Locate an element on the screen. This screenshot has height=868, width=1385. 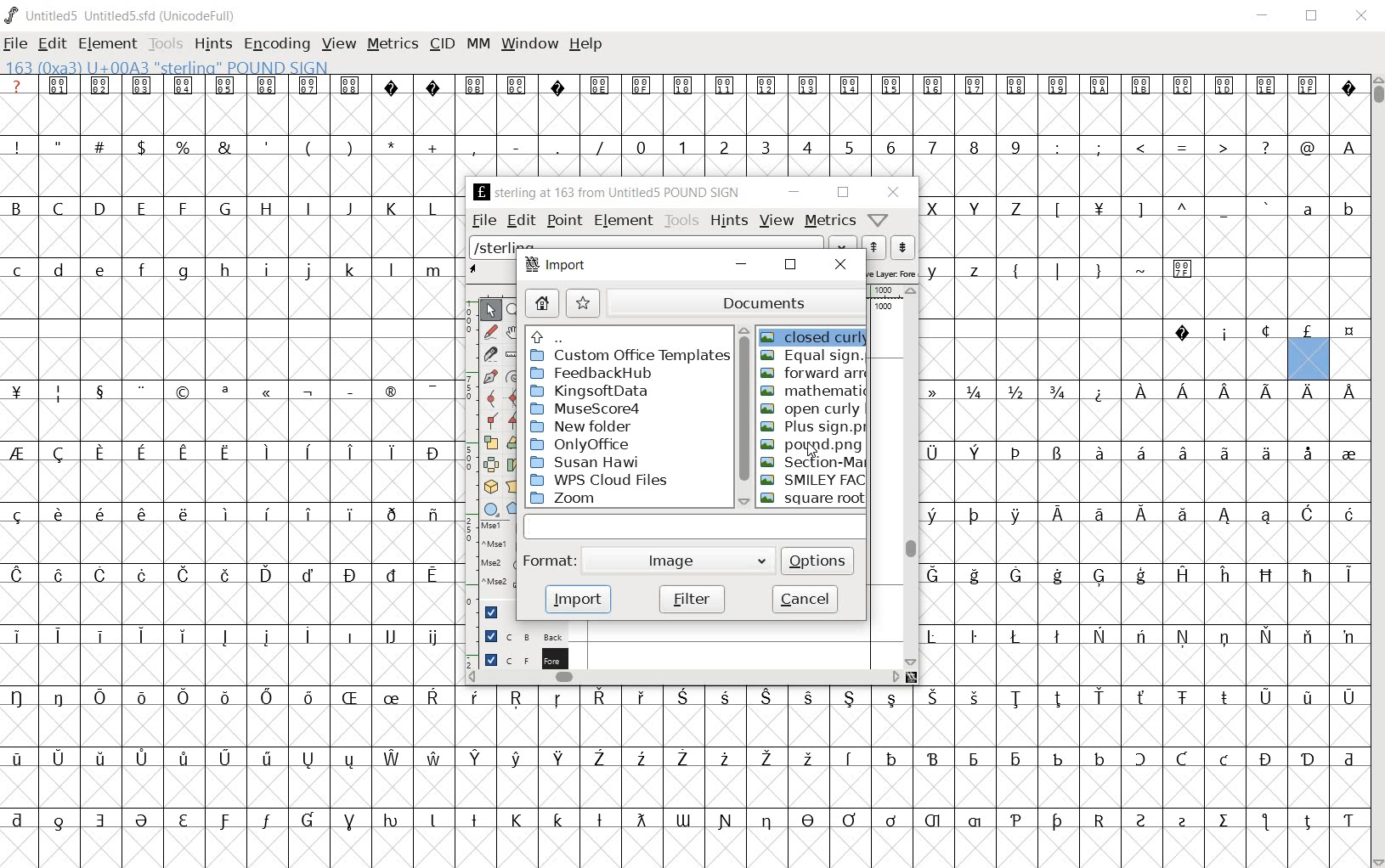
Symbol is located at coordinates (684, 820).